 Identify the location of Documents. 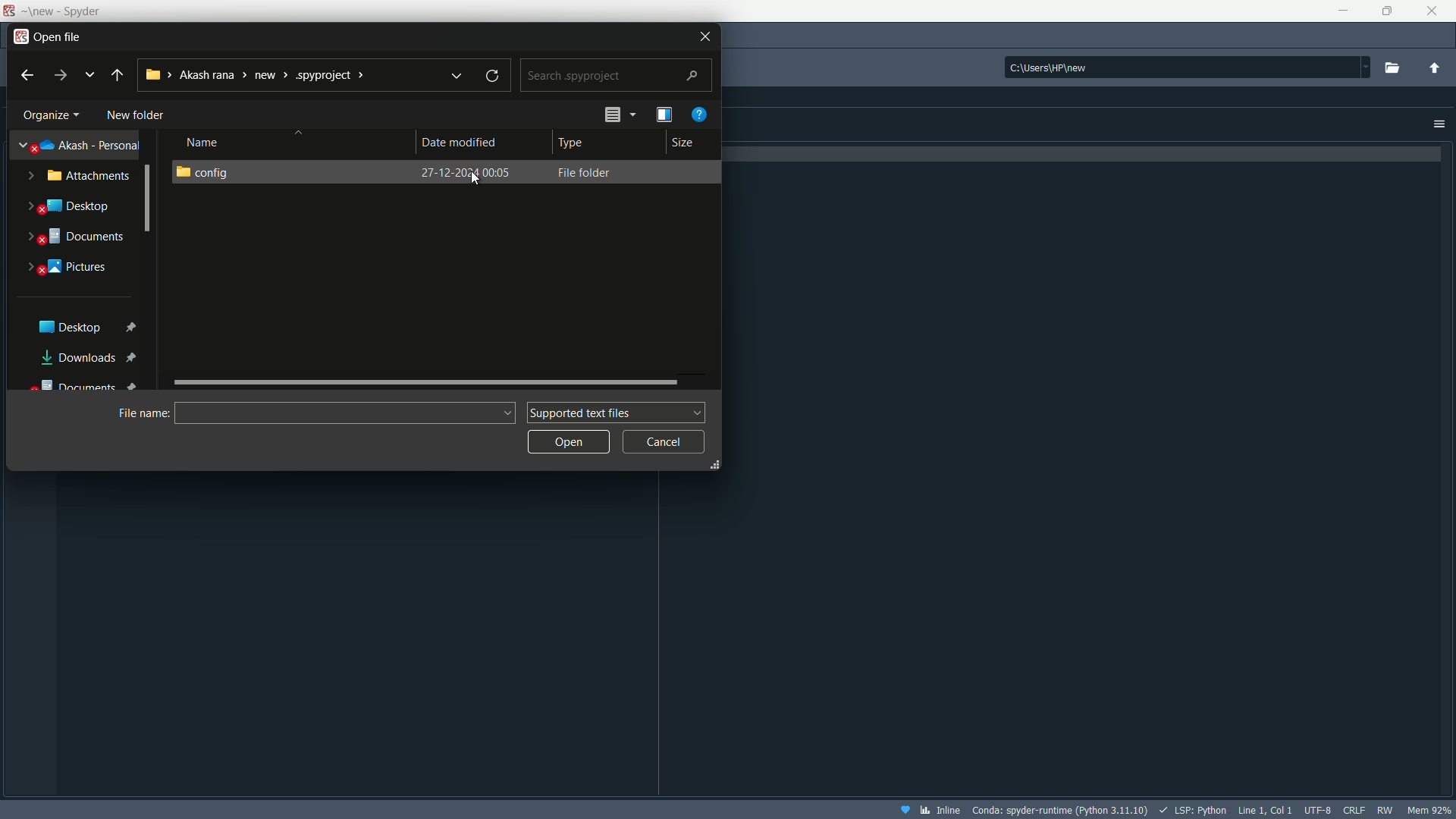
(82, 387).